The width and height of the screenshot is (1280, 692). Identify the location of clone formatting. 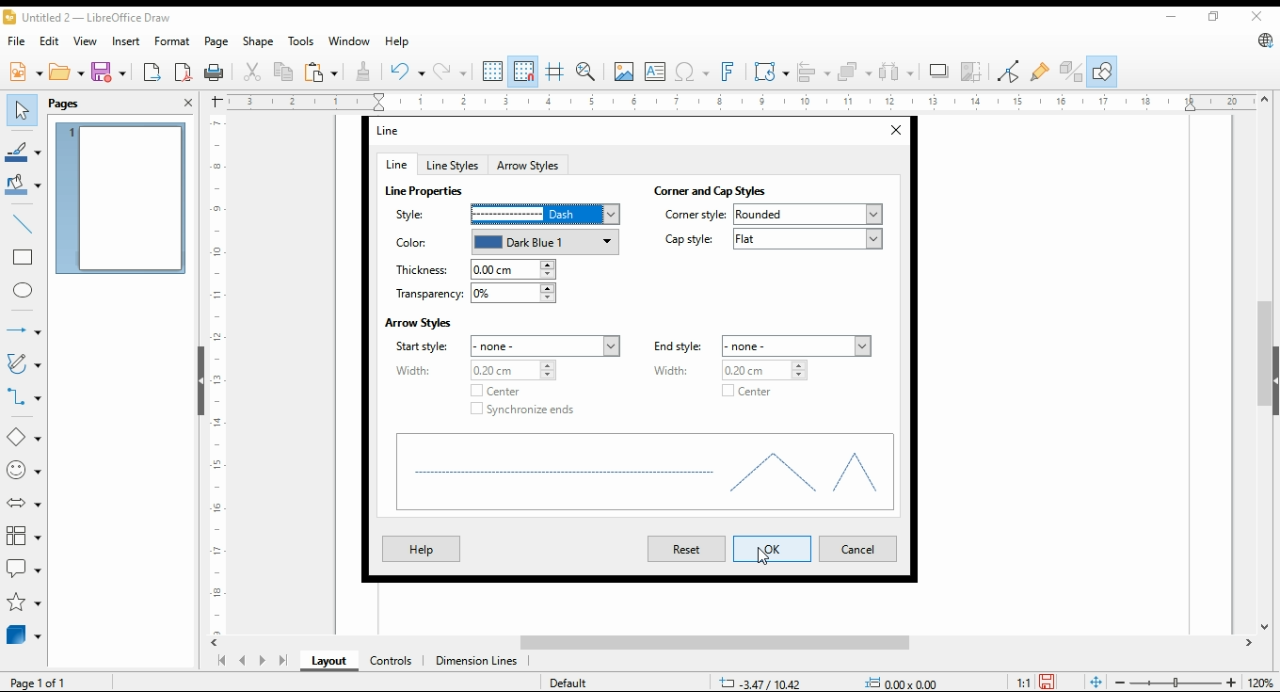
(367, 72).